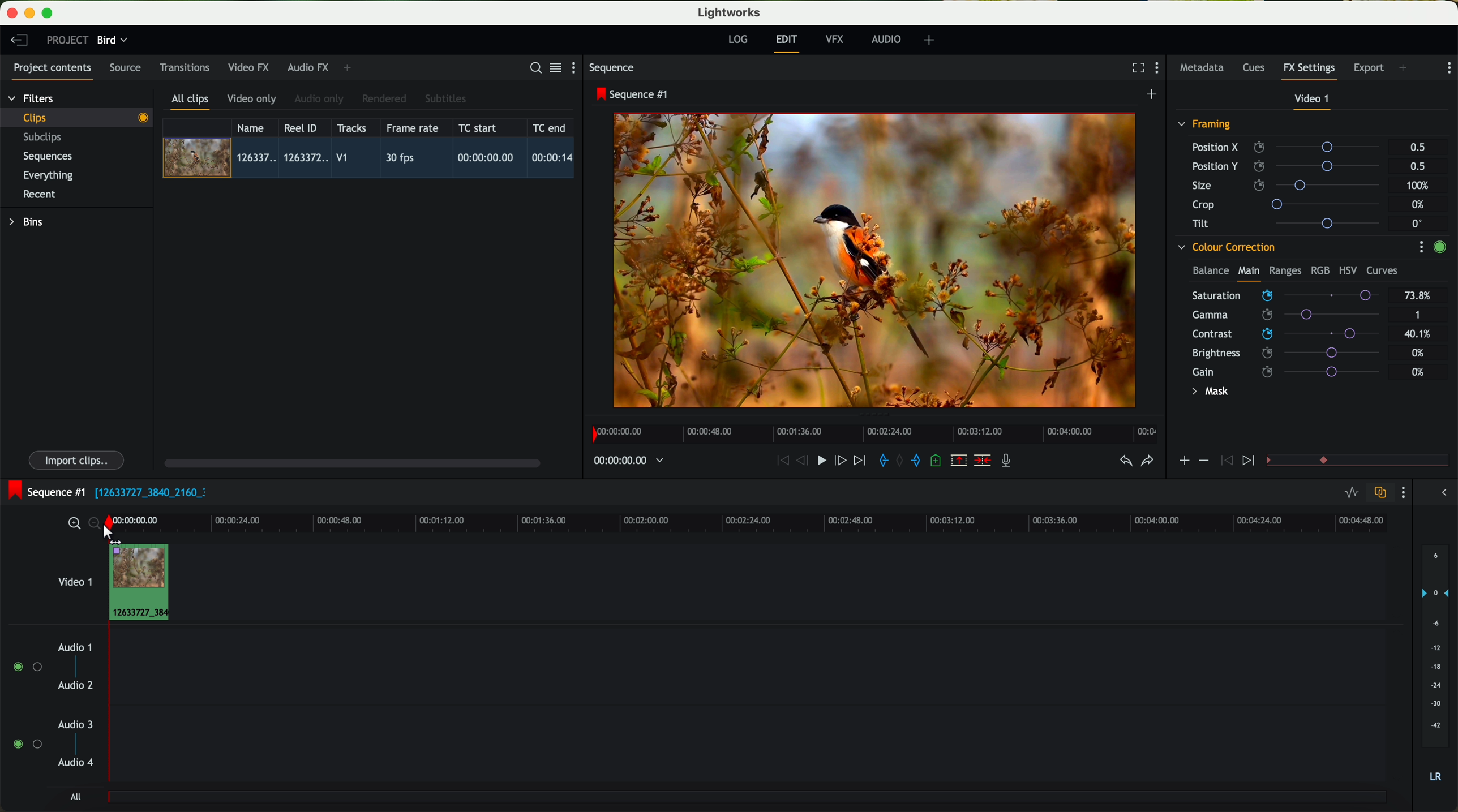 The image size is (1458, 812). Describe the element at coordinates (1319, 269) in the screenshot. I see `RGB` at that location.